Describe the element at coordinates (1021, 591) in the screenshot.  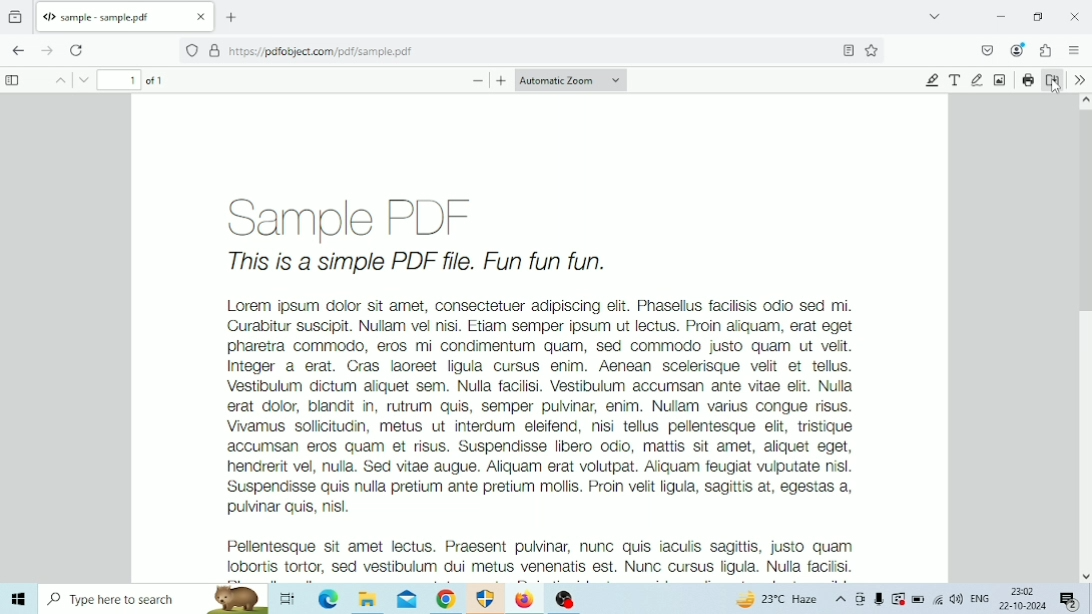
I see `Time` at that location.